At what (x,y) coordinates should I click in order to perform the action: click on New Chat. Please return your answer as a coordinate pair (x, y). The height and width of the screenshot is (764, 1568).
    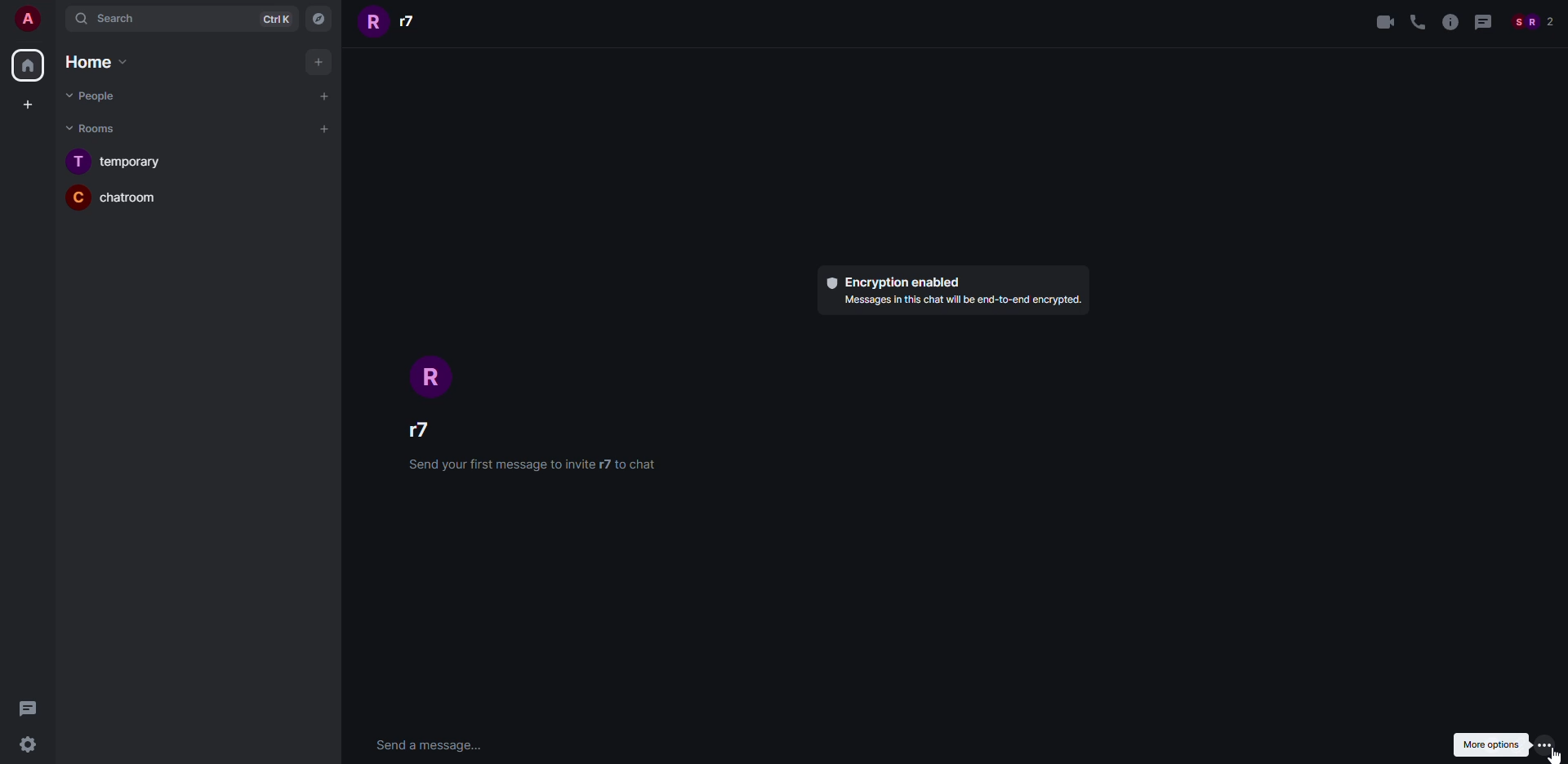
    Looking at the image, I should click on (325, 96).